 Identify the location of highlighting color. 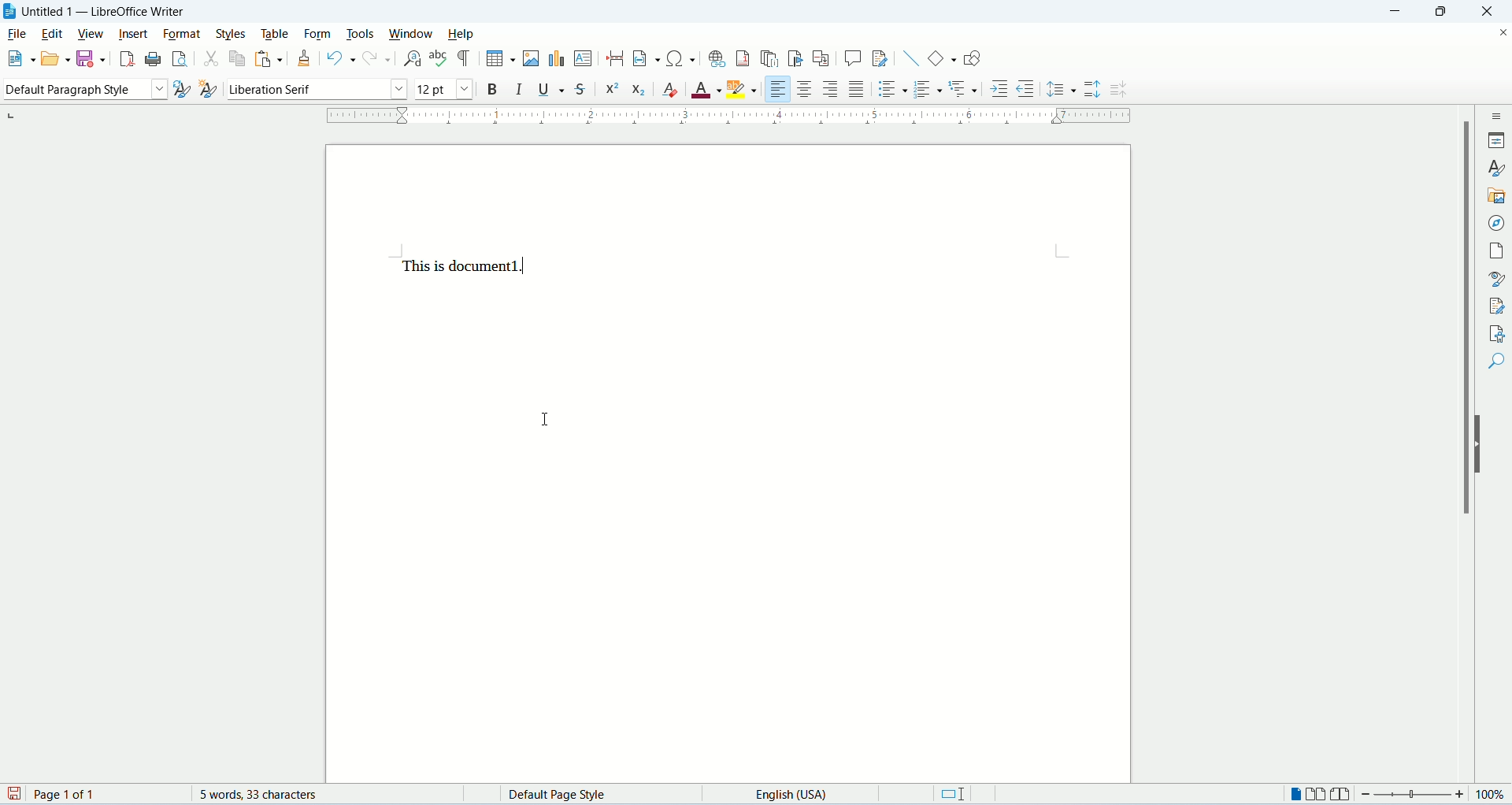
(744, 87).